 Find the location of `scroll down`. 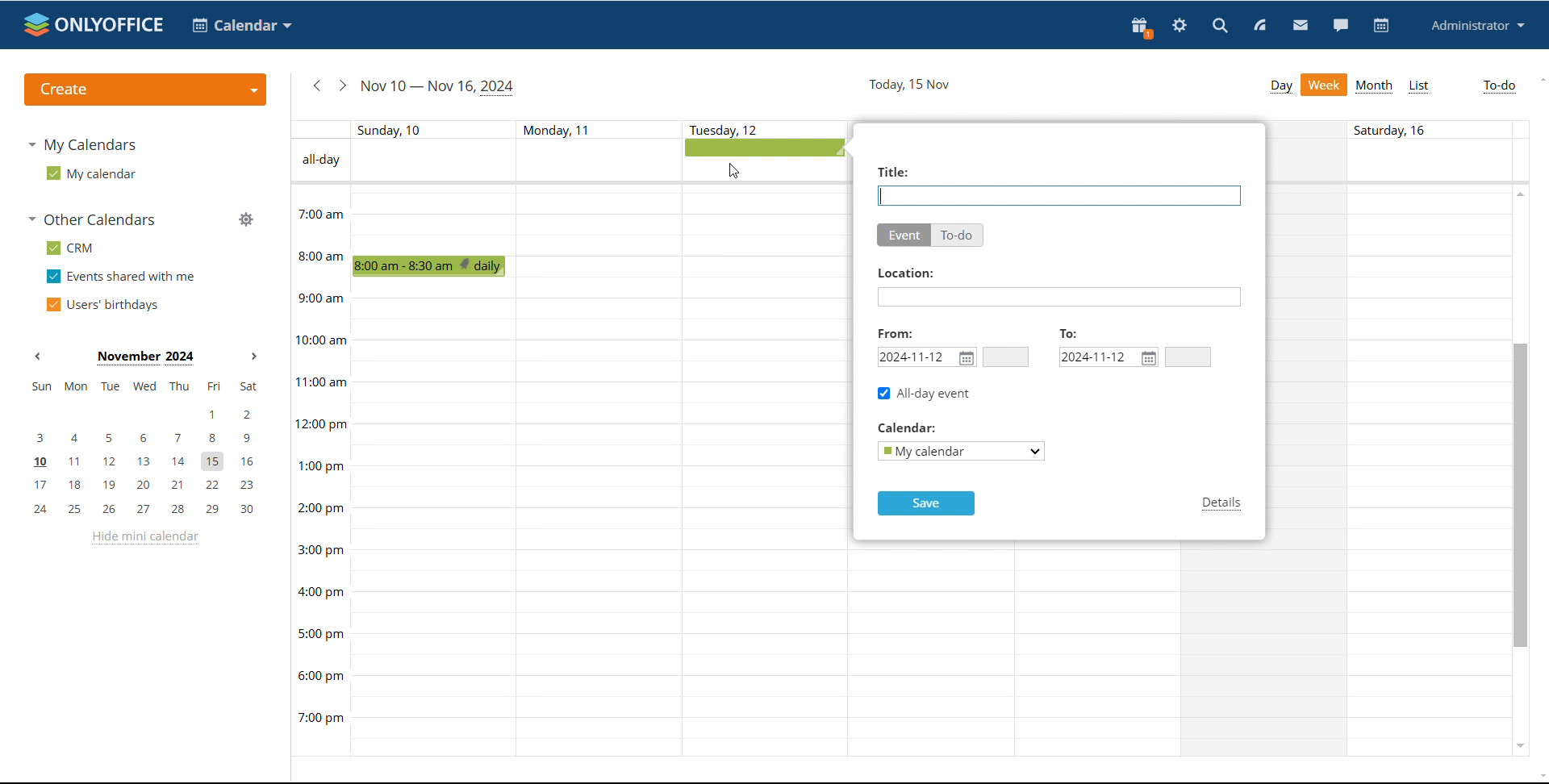

scroll down is located at coordinates (1520, 746).